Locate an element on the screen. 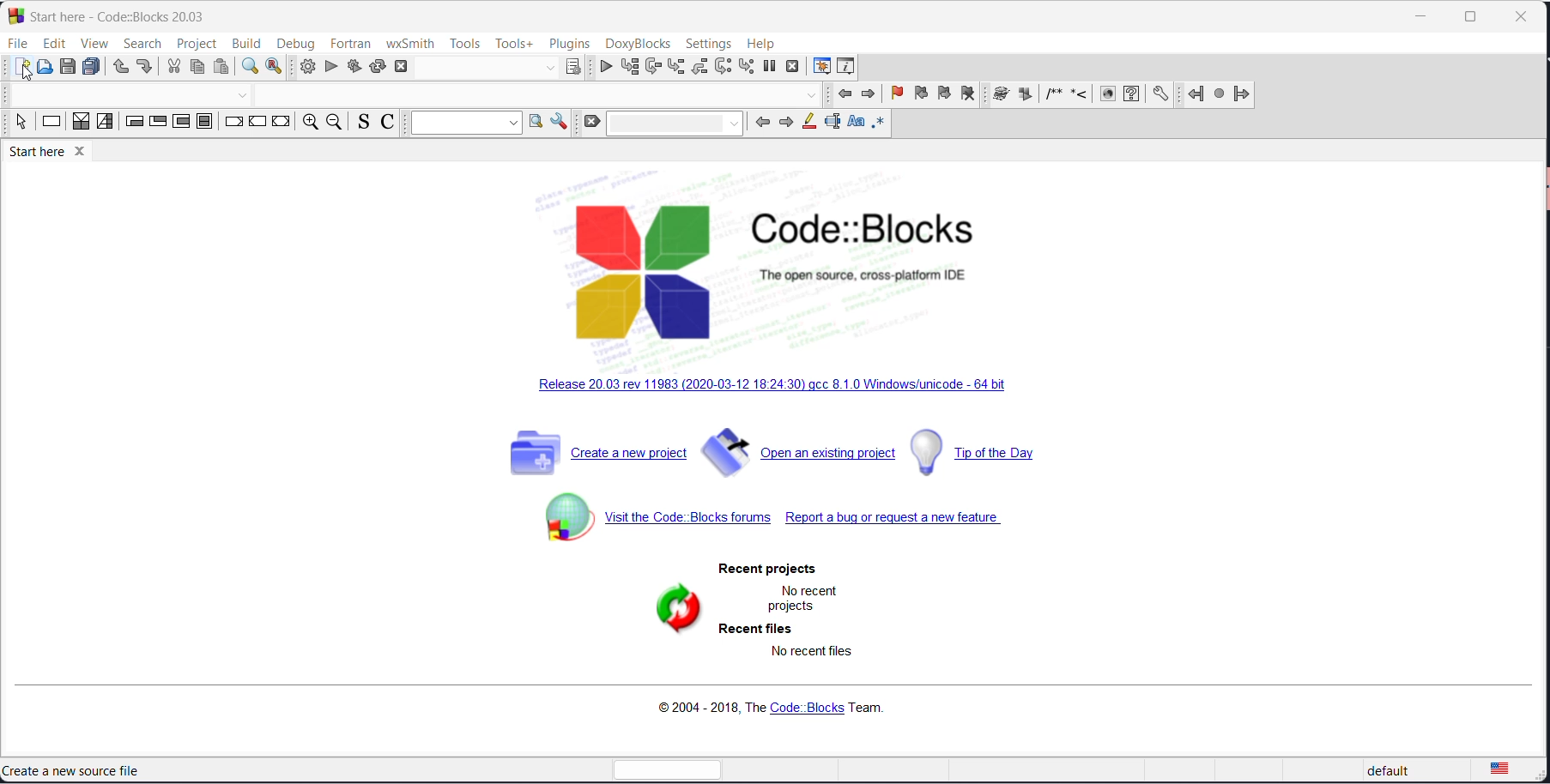 The height and width of the screenshot is (784, 1550). Create a new source file is located at coordinates (76, 772).